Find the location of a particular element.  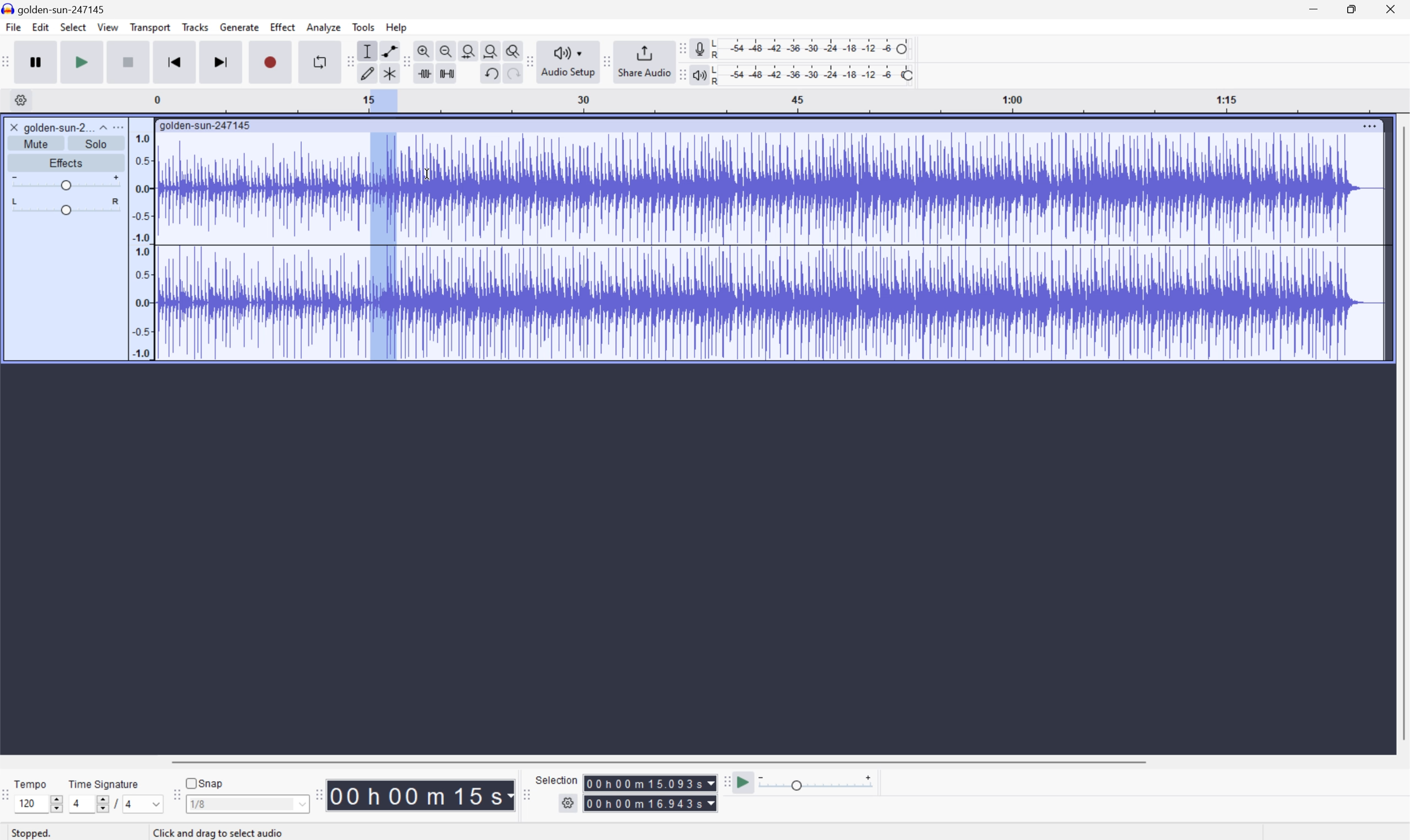

Click and drag to select audio is located at coordinates (254, 829).